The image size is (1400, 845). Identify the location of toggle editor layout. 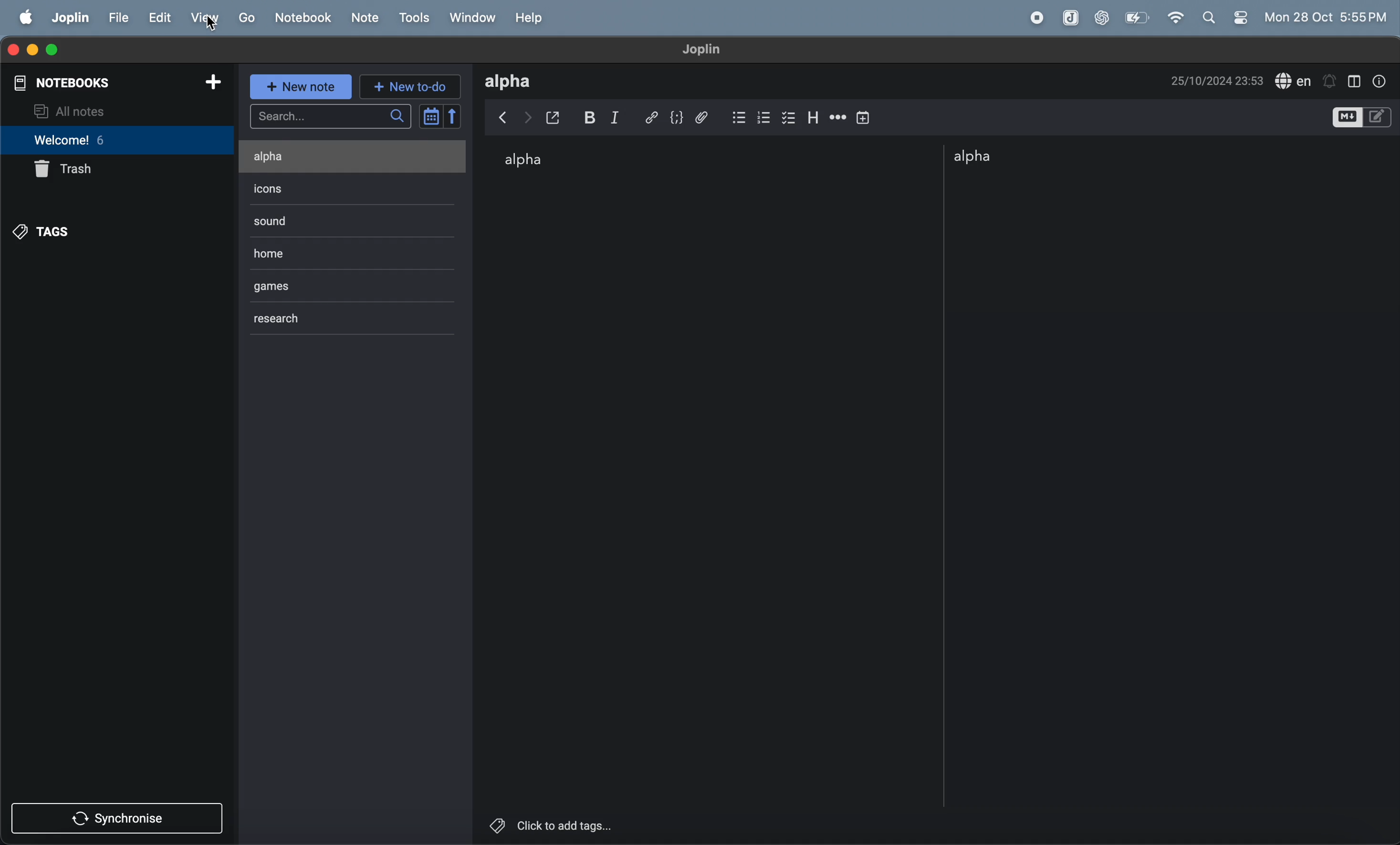
(1356, 80).